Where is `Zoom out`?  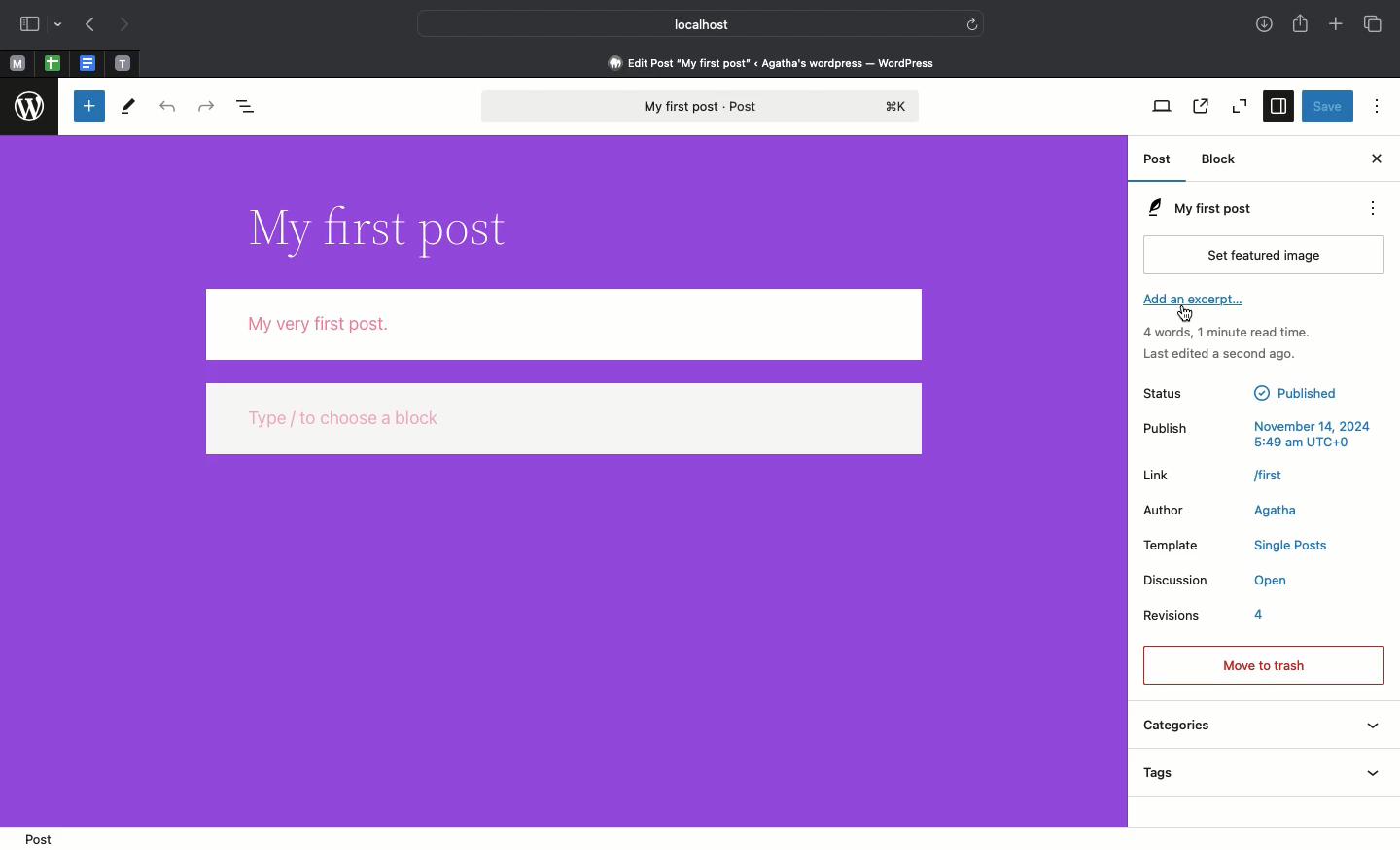
Zoom out is located at coordinates (1241, 108).